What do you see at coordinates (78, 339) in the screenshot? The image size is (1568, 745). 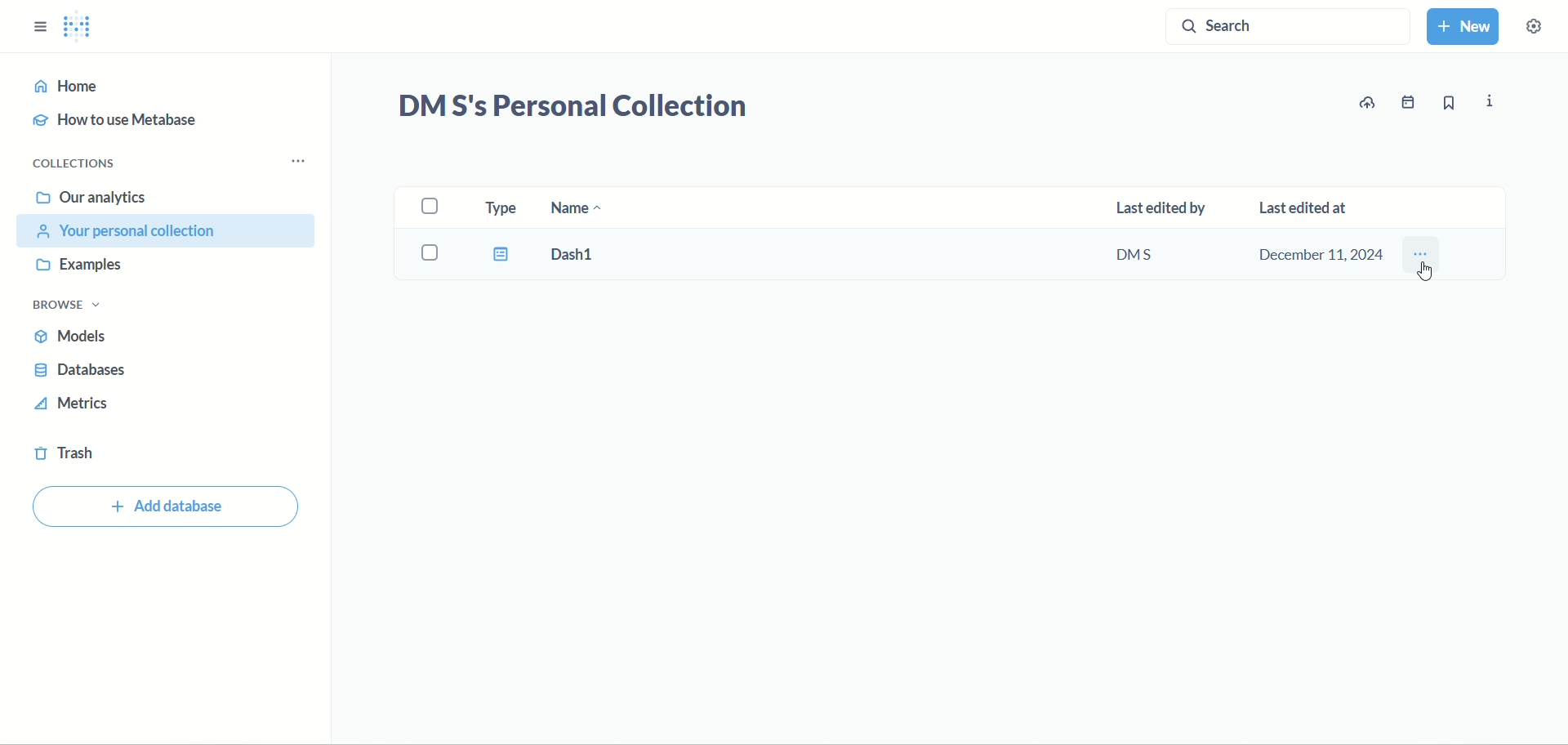 I see `models` at bounding box center [78, 339].